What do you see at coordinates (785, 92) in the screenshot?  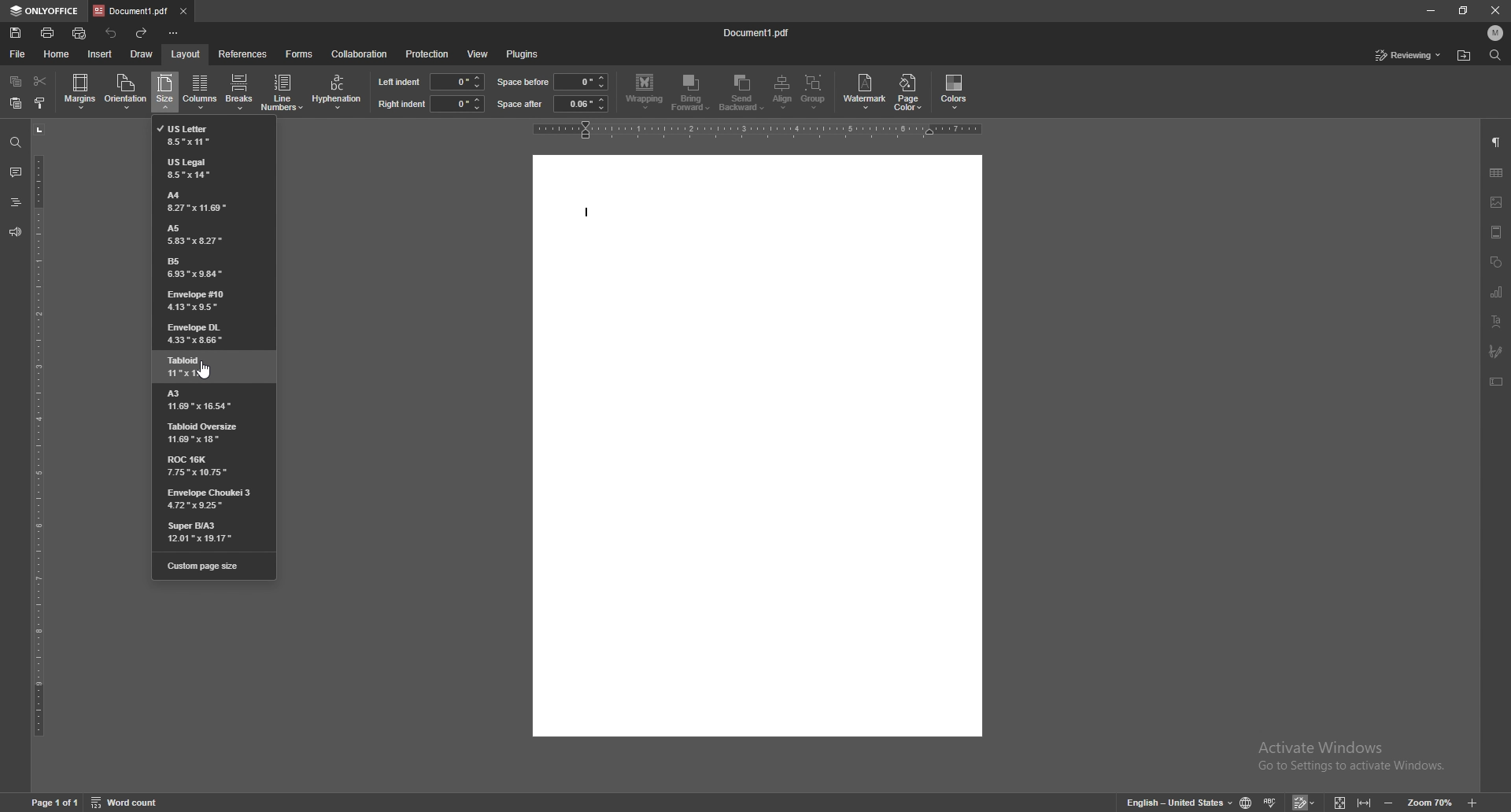 I see `align` at bounding box center [785, 92].